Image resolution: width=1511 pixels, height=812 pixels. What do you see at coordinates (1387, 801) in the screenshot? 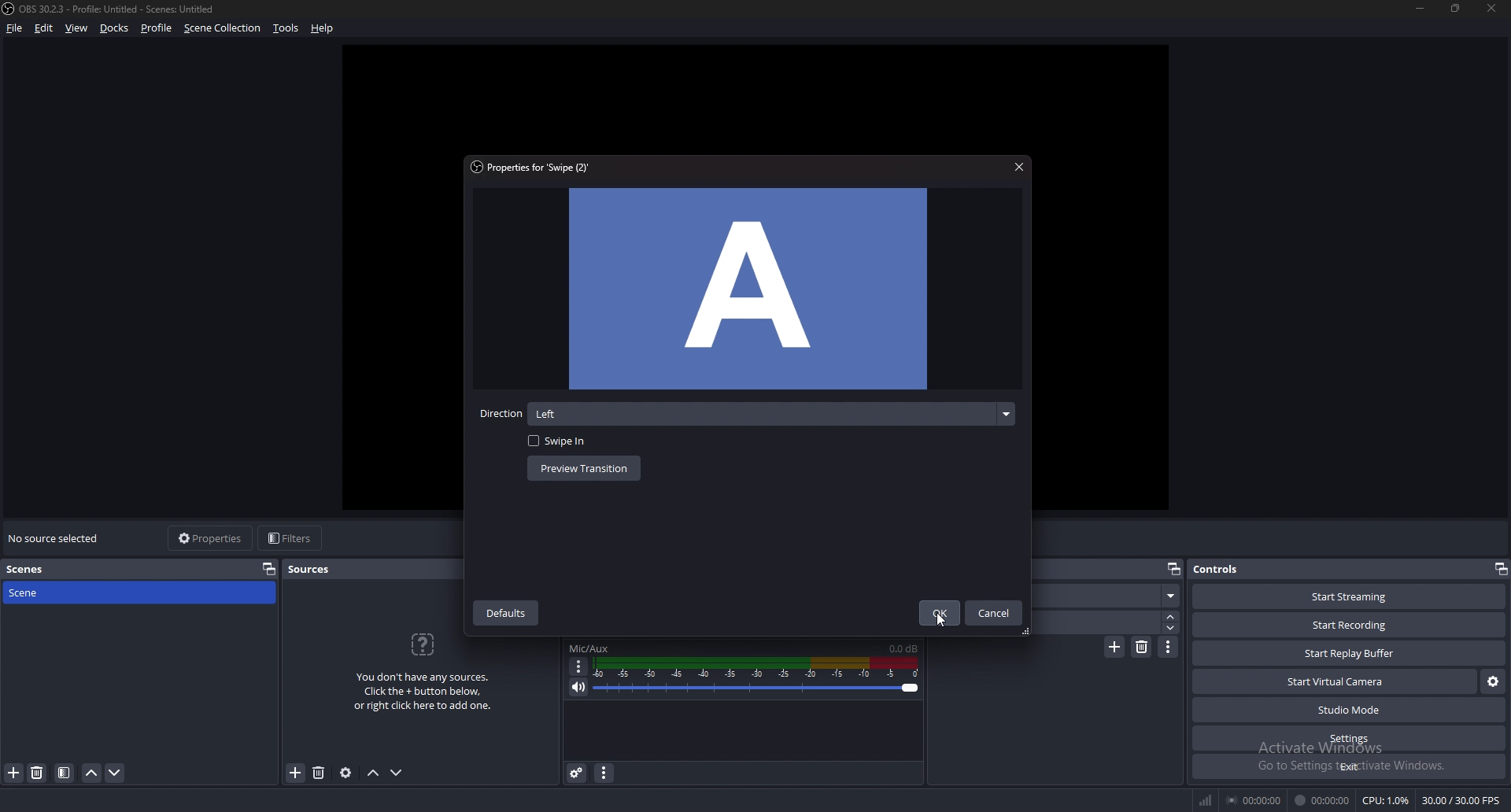
I see `CPU: 0.7%` at bounding box center [1387, 801].